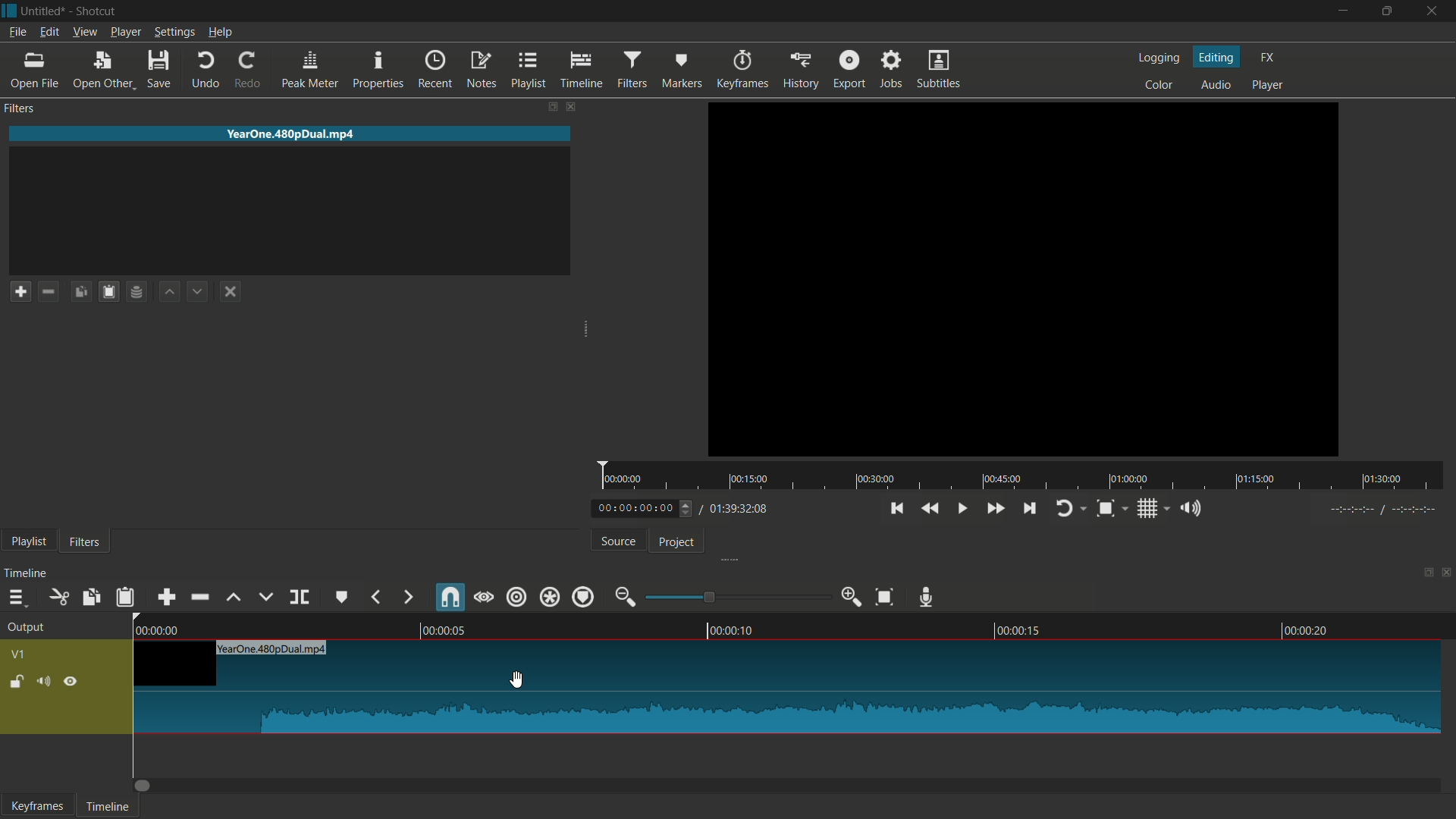 Image resolution: width=1456 pixels, height=819 pixels. Describe the element at coordinates (552, 106) in the screenshot. I see `change layout` at that location.